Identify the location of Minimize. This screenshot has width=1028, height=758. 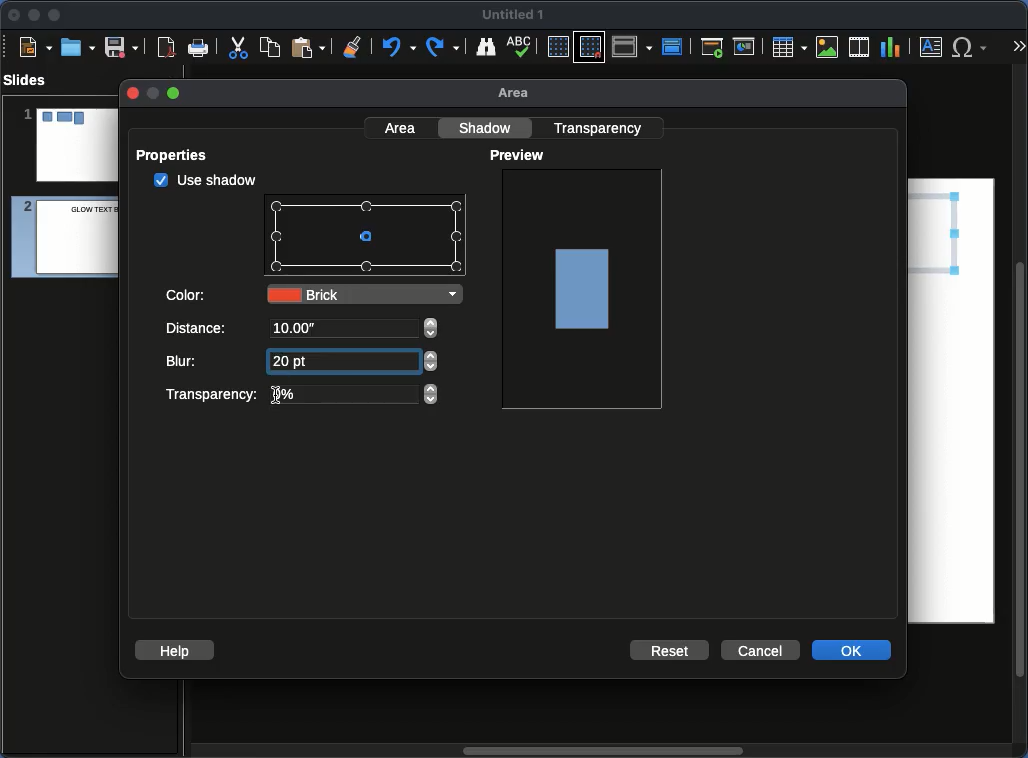
(33, 14).